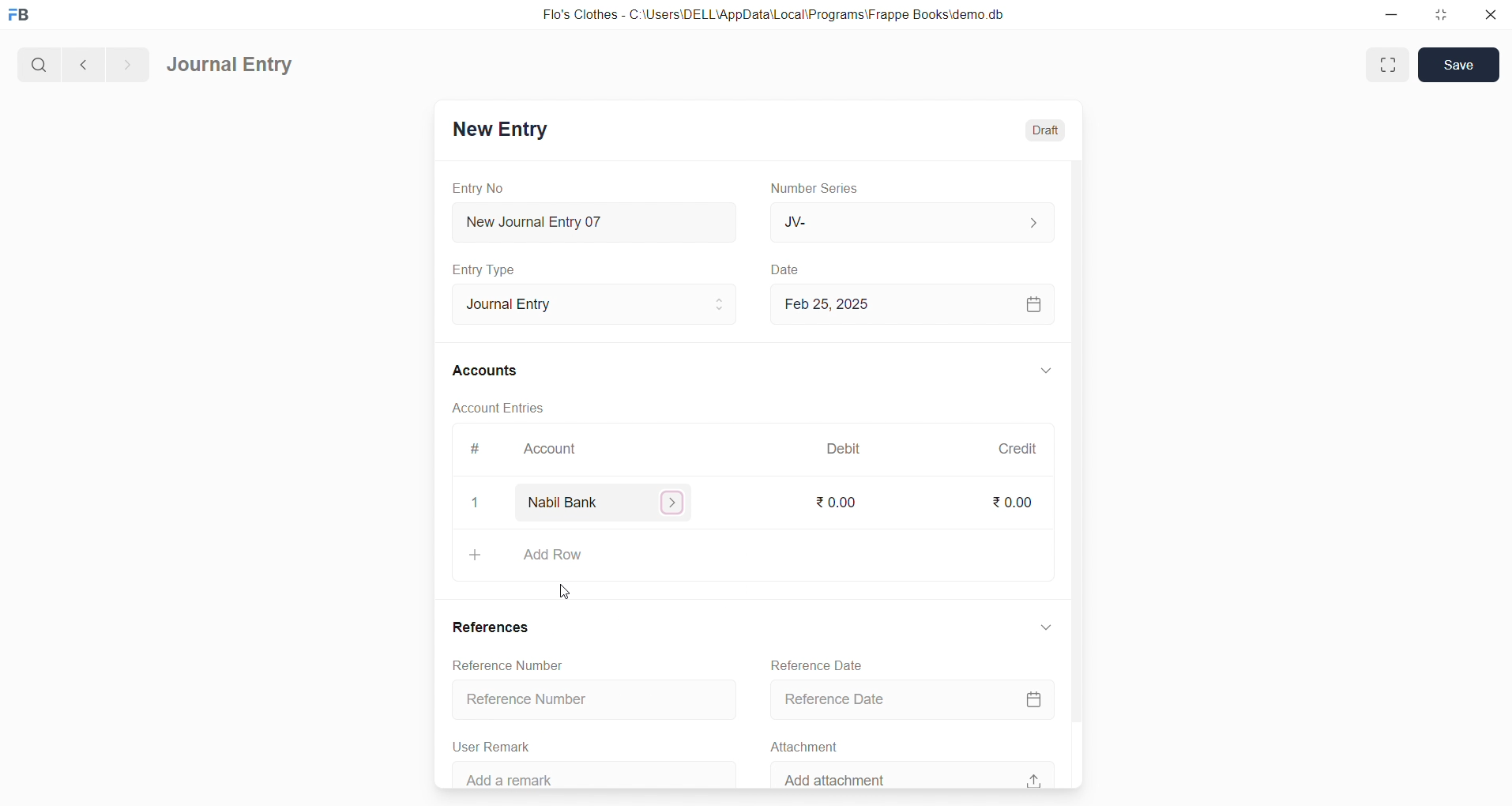 This screenshot has height=806, width=1512. I want to click on Account Entries, so click(500, 410).